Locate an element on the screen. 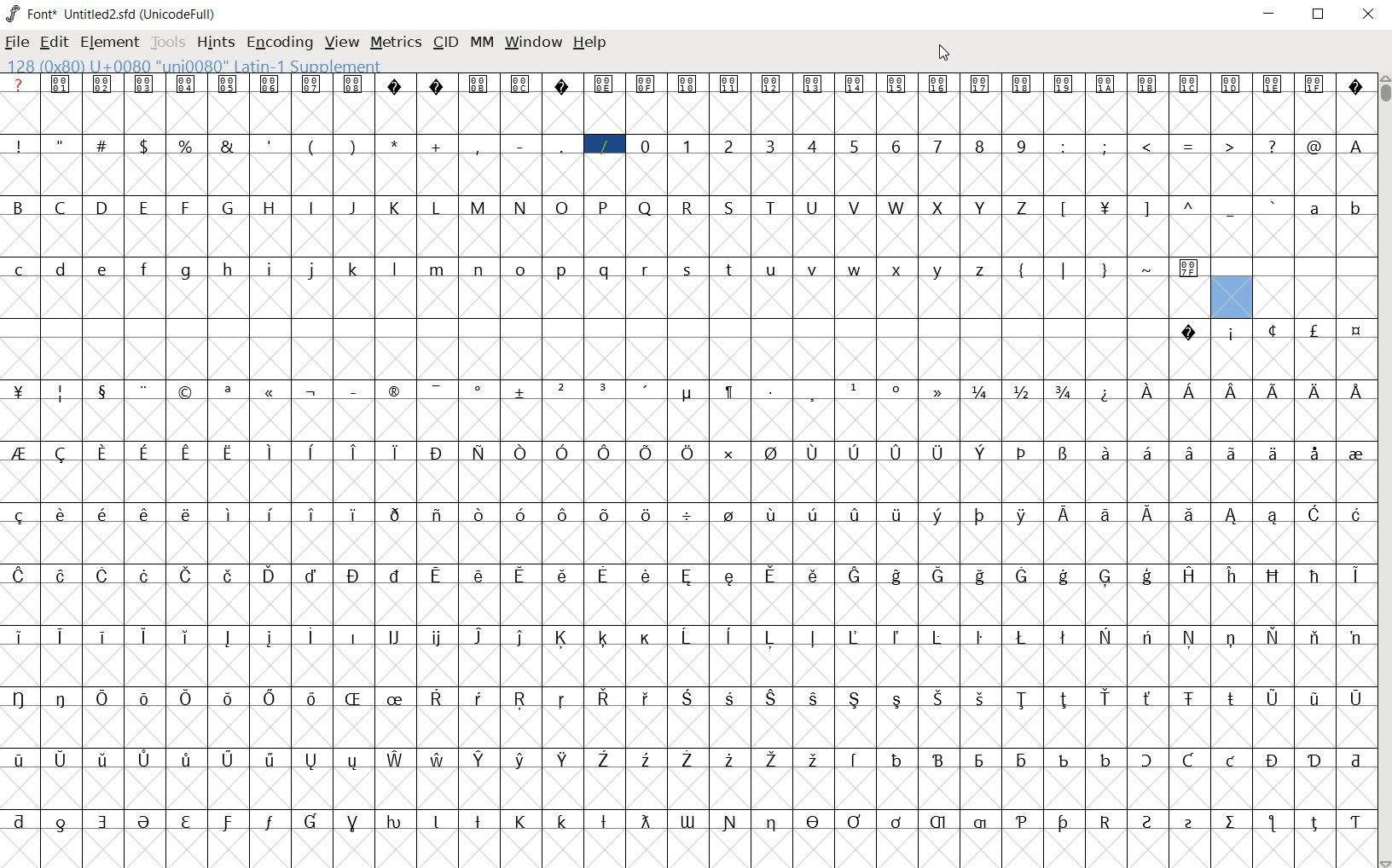 The image size is (1392, 868). glyph is located at coordinates (1231, 822).